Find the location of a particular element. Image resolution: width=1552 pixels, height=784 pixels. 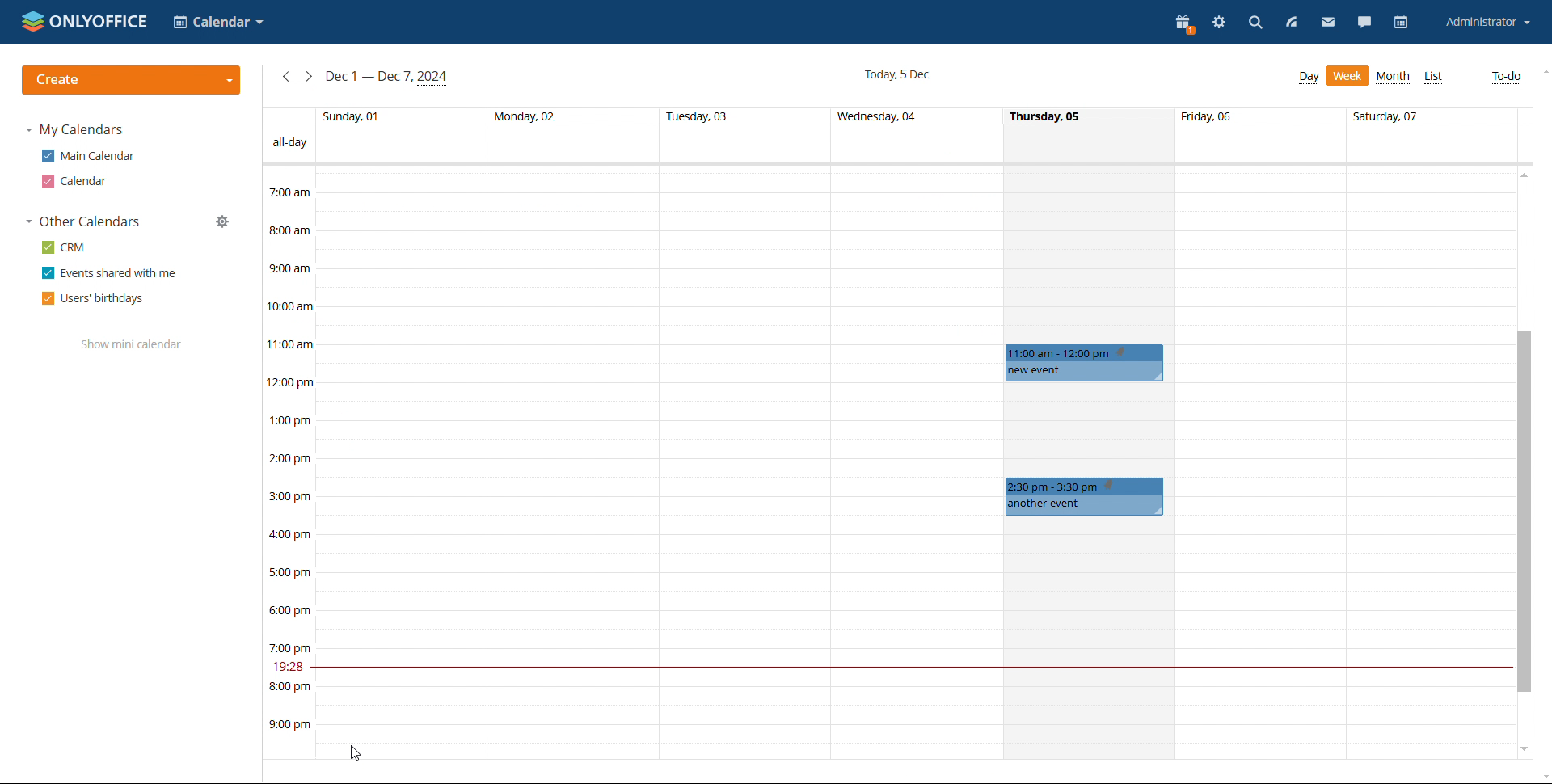

2:30am to 3:30pm is located at coordinates (1086, 484).